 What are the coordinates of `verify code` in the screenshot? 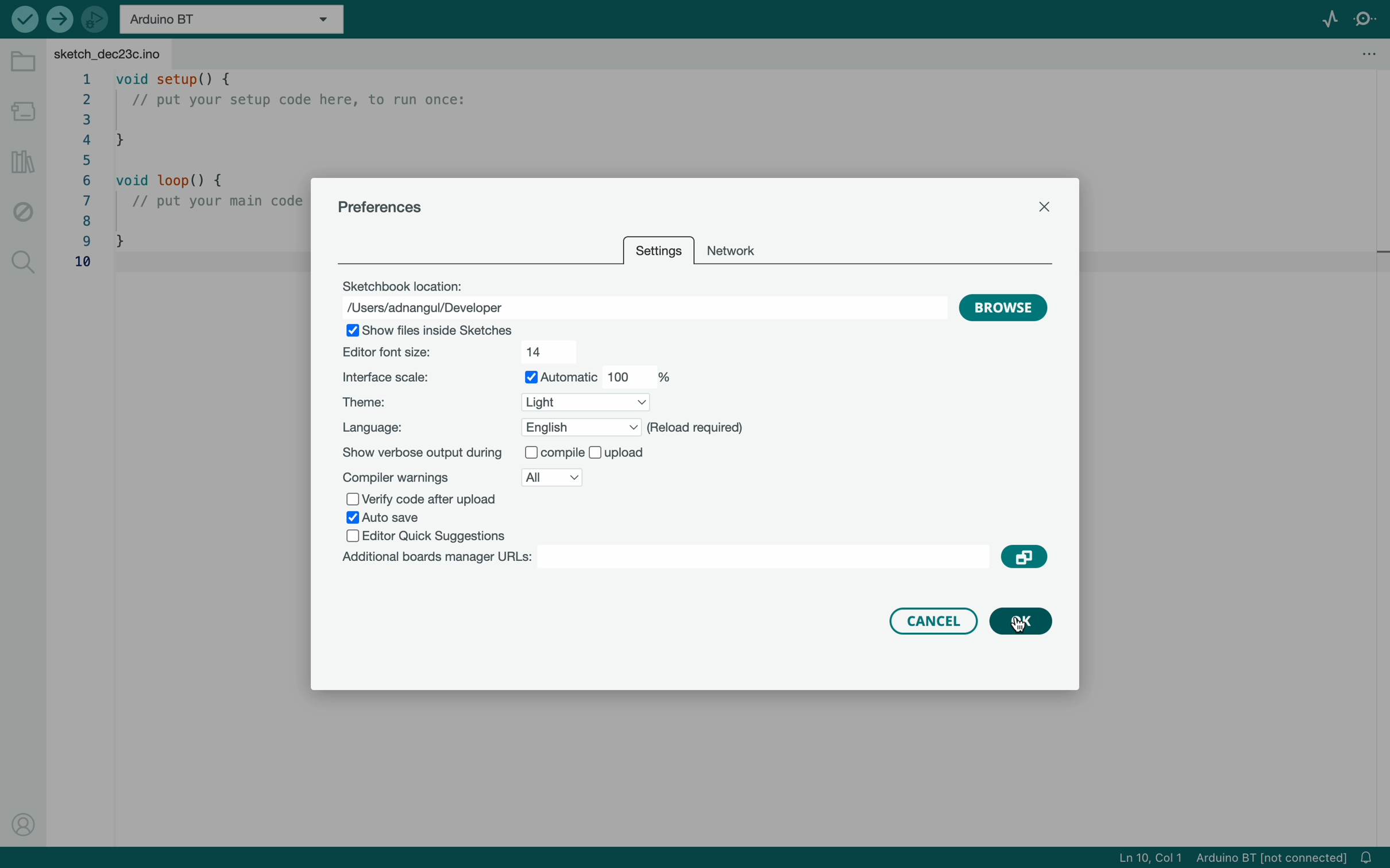 It's located at (442, 499).